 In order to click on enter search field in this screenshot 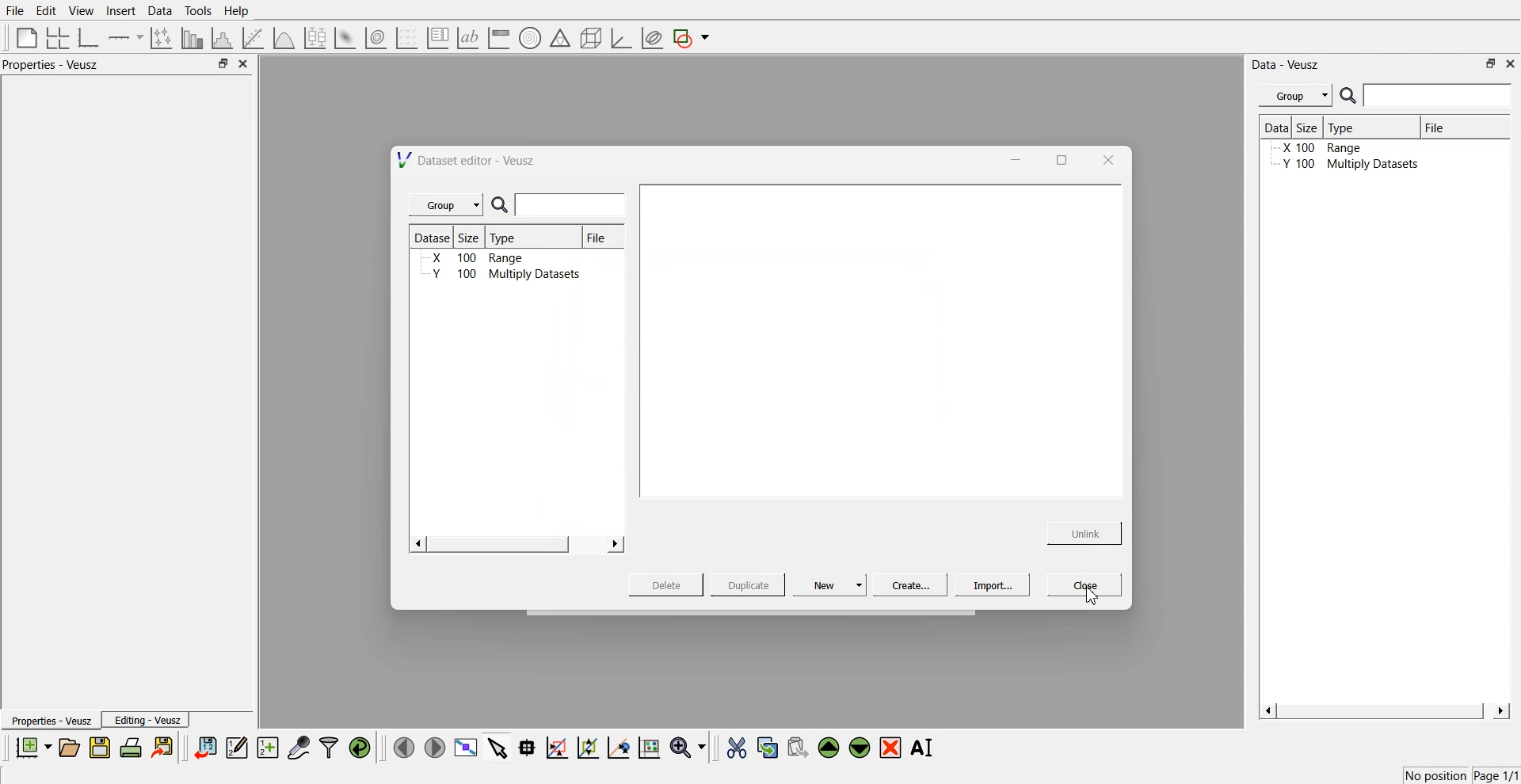, I will do `click(1439, 96)`.